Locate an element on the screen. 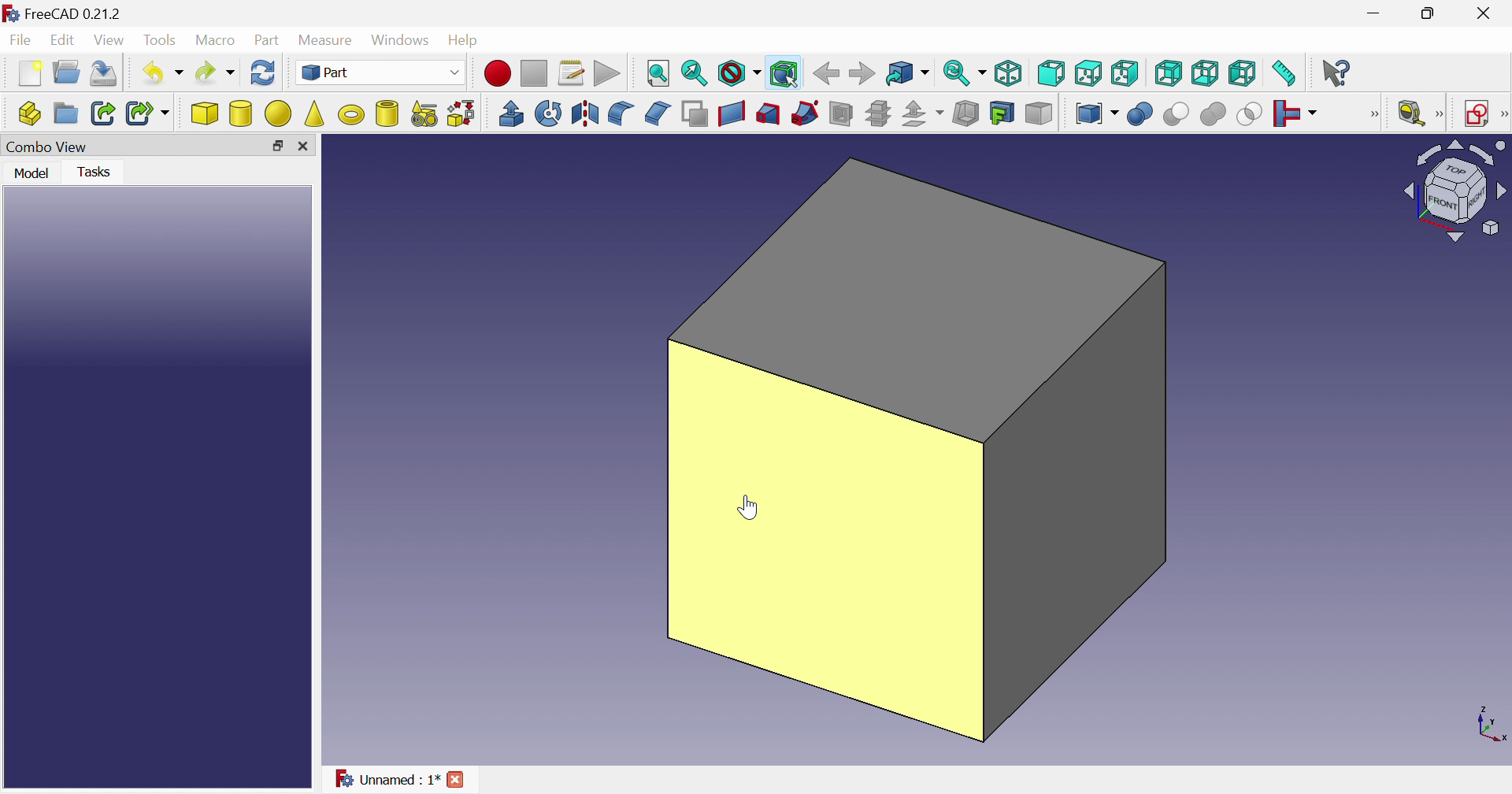  Create projection on surface... is located at coordinates (1002, 113).